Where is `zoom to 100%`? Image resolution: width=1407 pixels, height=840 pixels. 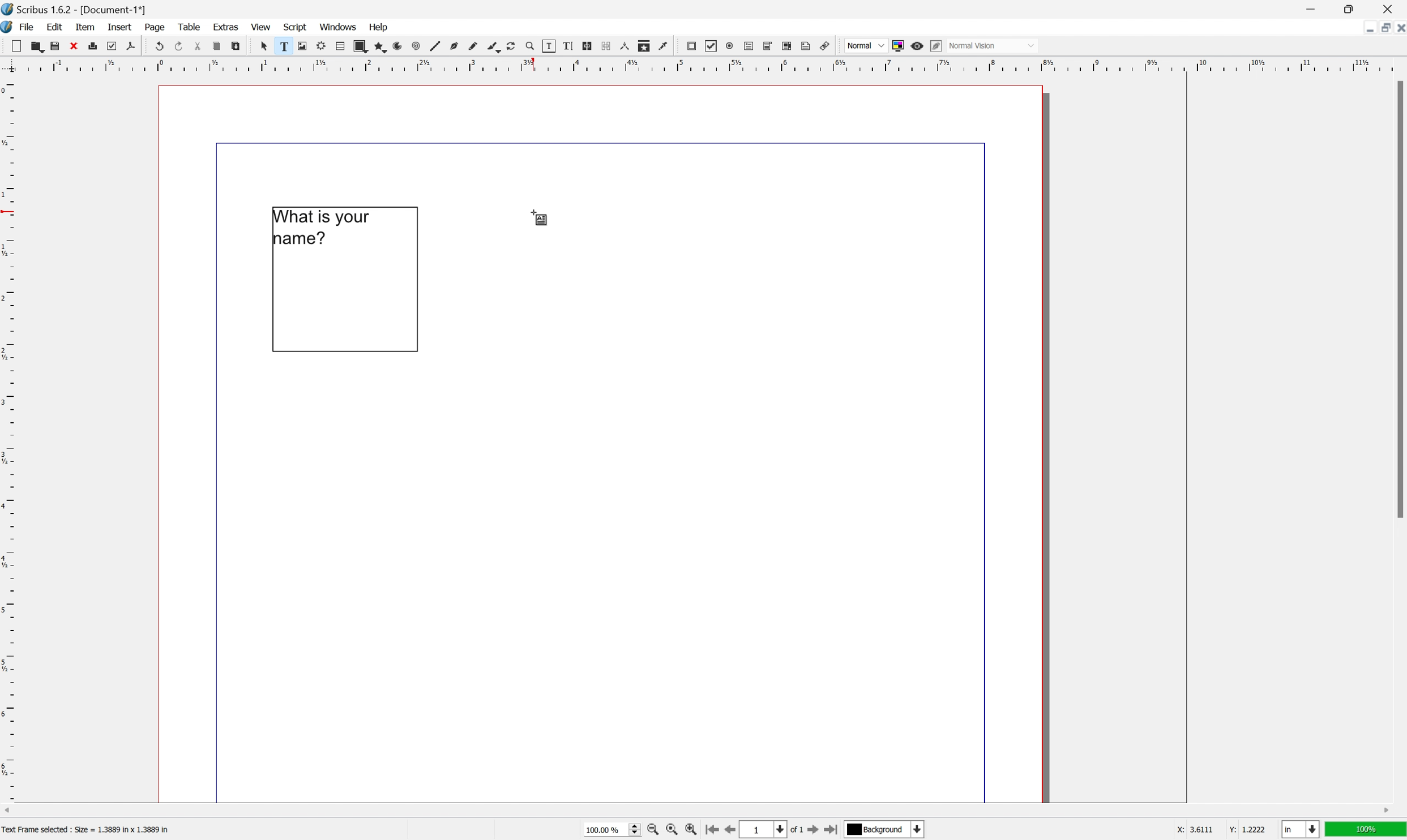 zoom to 100% is located at coordinates (669, 830).